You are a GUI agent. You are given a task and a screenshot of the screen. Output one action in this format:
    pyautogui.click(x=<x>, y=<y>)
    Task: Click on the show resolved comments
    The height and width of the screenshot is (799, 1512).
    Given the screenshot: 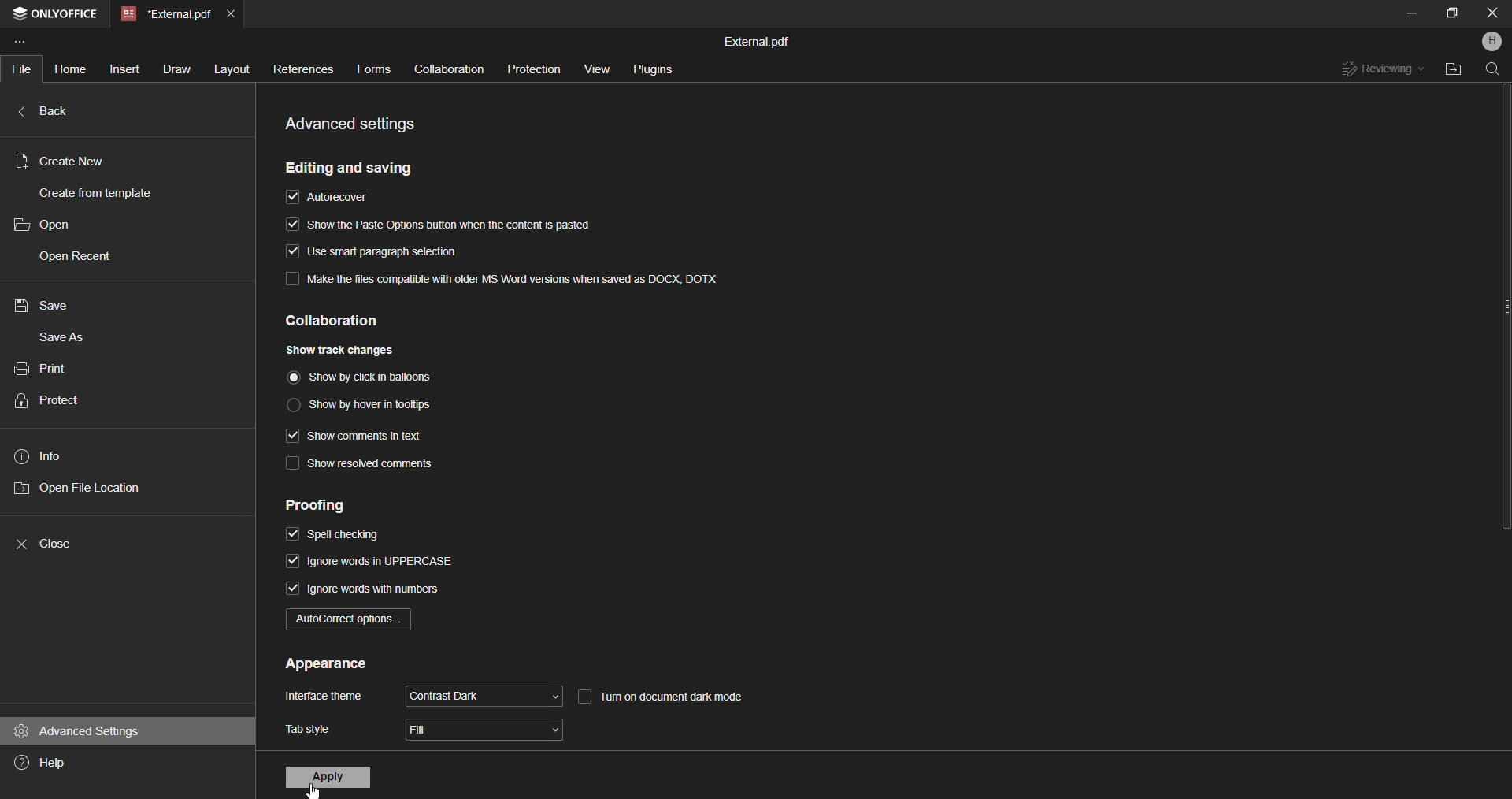 What is the action you would take?
    pyautogui.click(x=362, y=466)
    